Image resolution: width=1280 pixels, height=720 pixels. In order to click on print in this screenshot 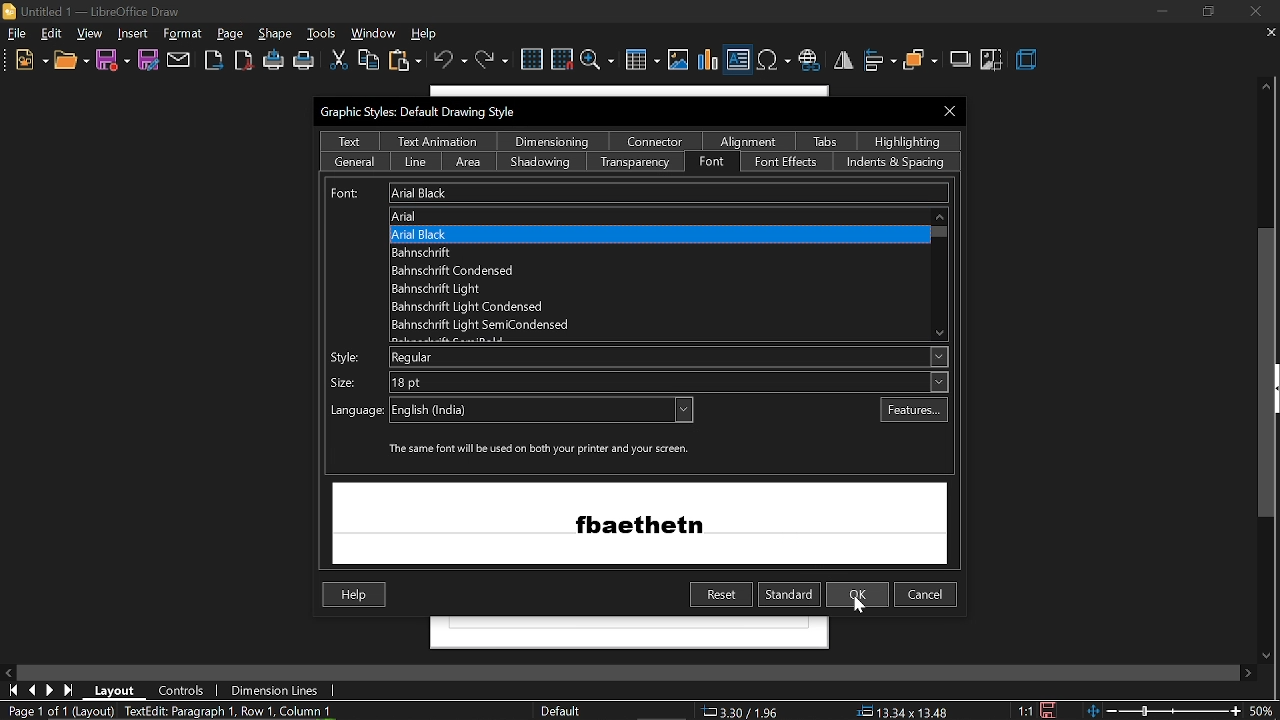, I will do `click(304, 63)`.